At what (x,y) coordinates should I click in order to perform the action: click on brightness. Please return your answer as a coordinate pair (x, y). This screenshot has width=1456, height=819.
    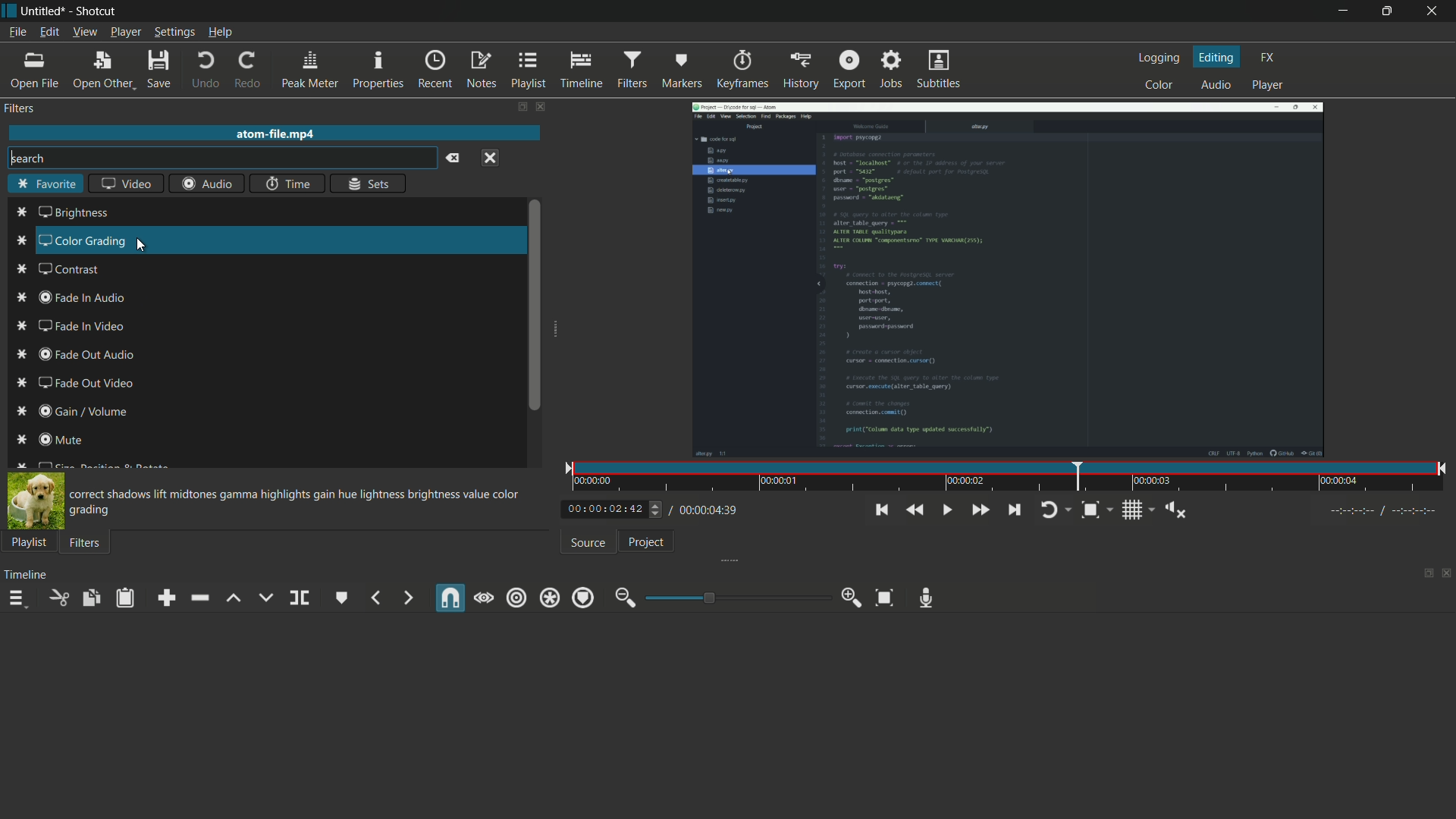
    Looking at the image, I should click on (75, 214).